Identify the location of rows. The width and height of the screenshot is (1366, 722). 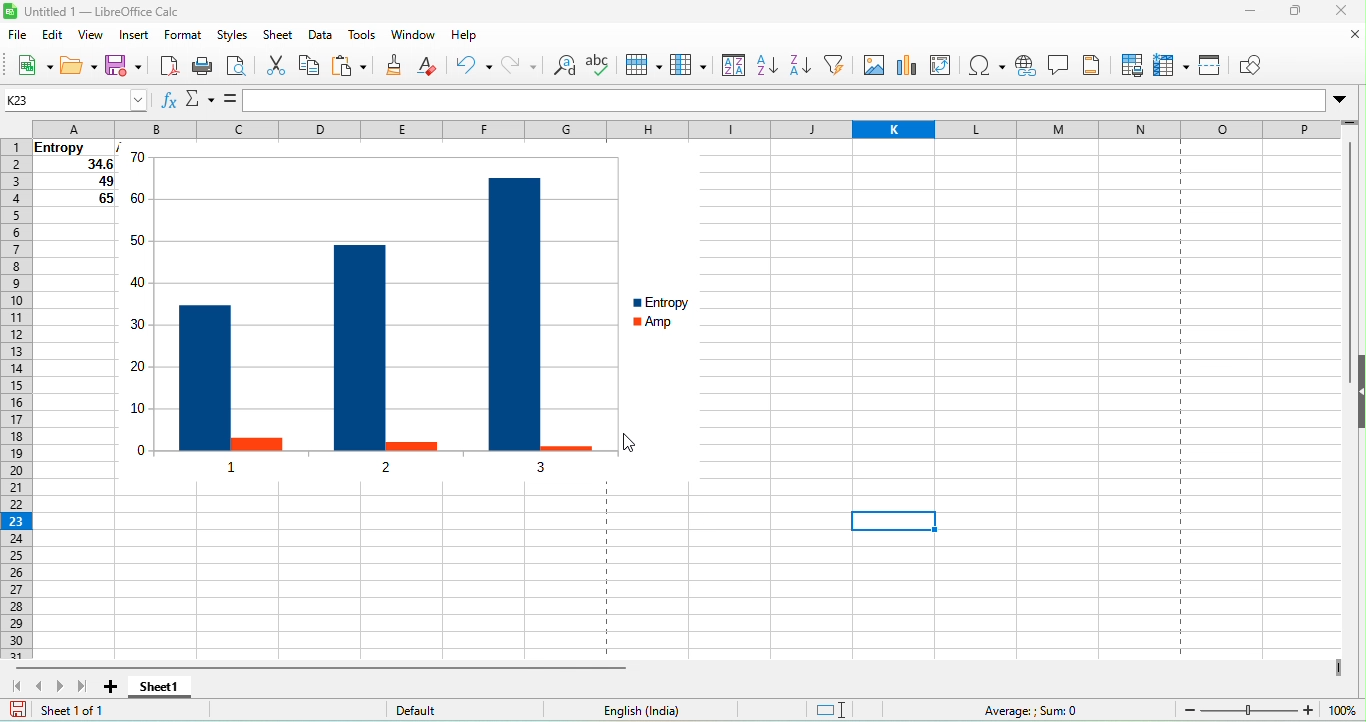
(14, 401).